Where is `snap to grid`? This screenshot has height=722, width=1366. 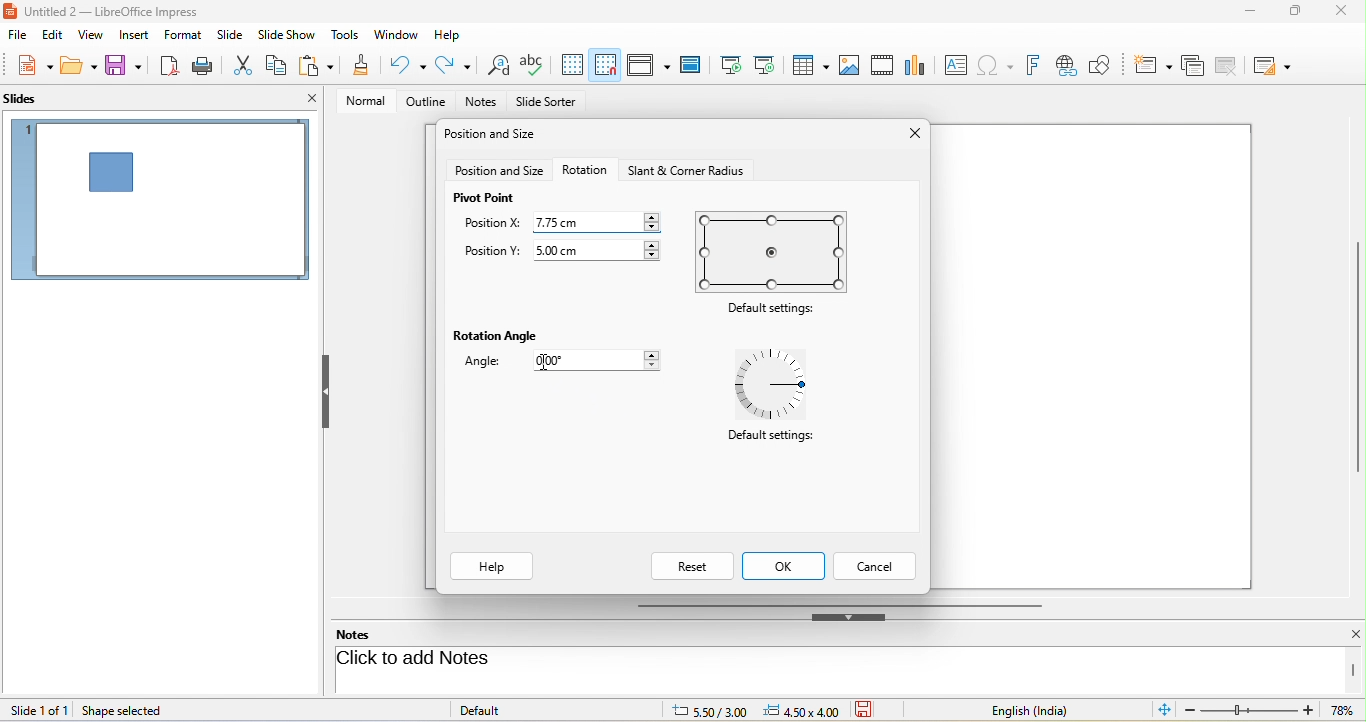 snap to grid is located at coordinates (605, 65).